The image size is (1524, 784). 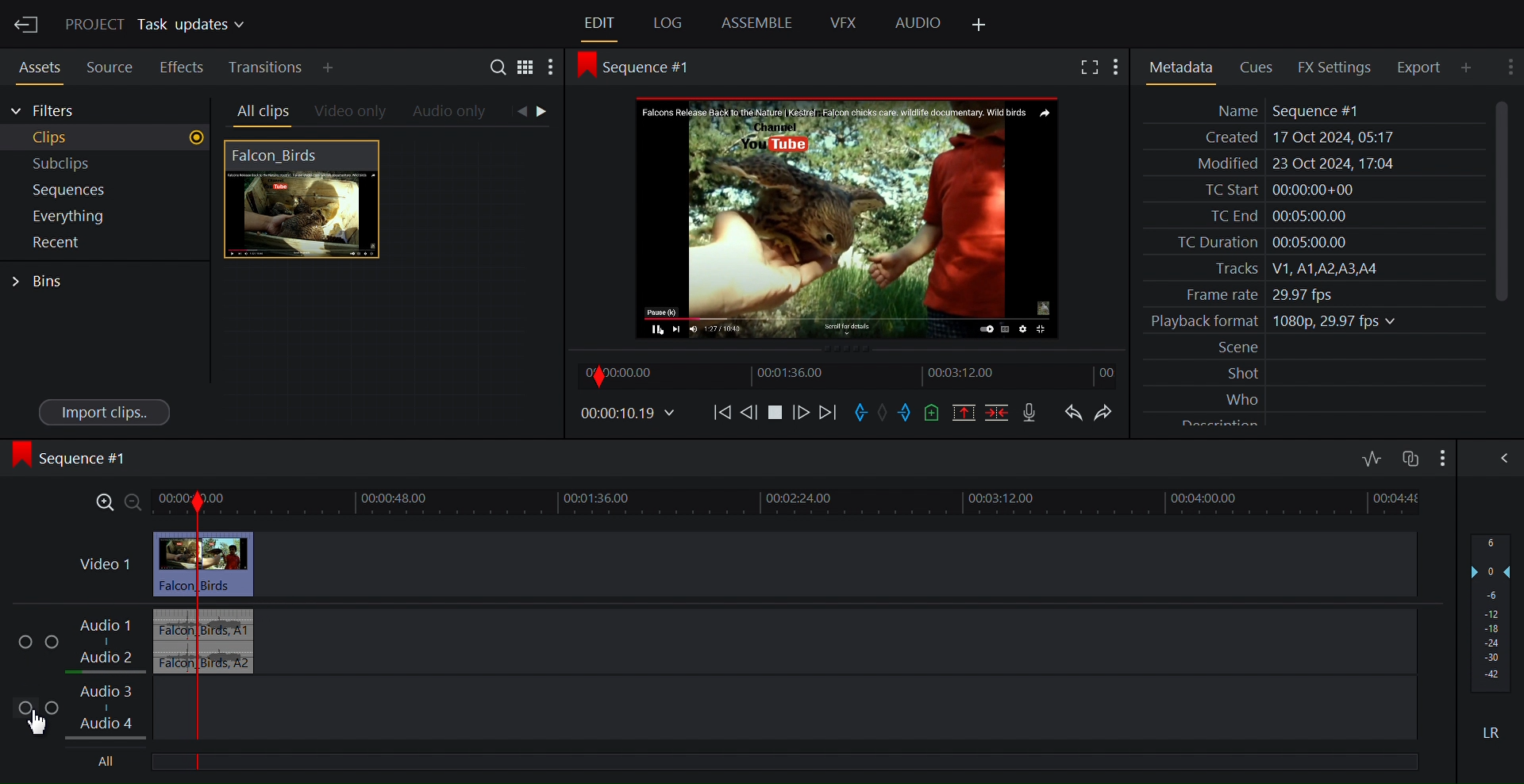 I want to click on Show/Hide the full audio mix, so click(x=1501, y=458).